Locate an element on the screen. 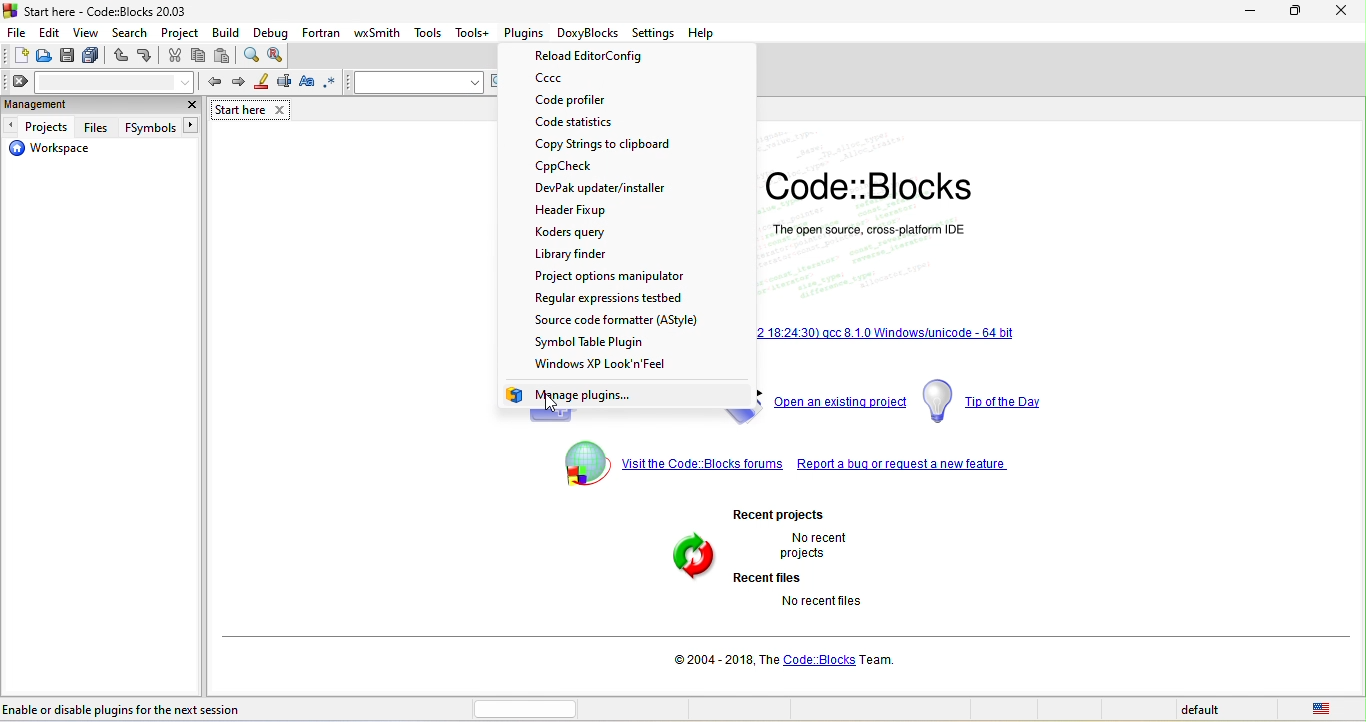 The image size is (1366, 722). cursor movement is located at coordinates (549, 403).